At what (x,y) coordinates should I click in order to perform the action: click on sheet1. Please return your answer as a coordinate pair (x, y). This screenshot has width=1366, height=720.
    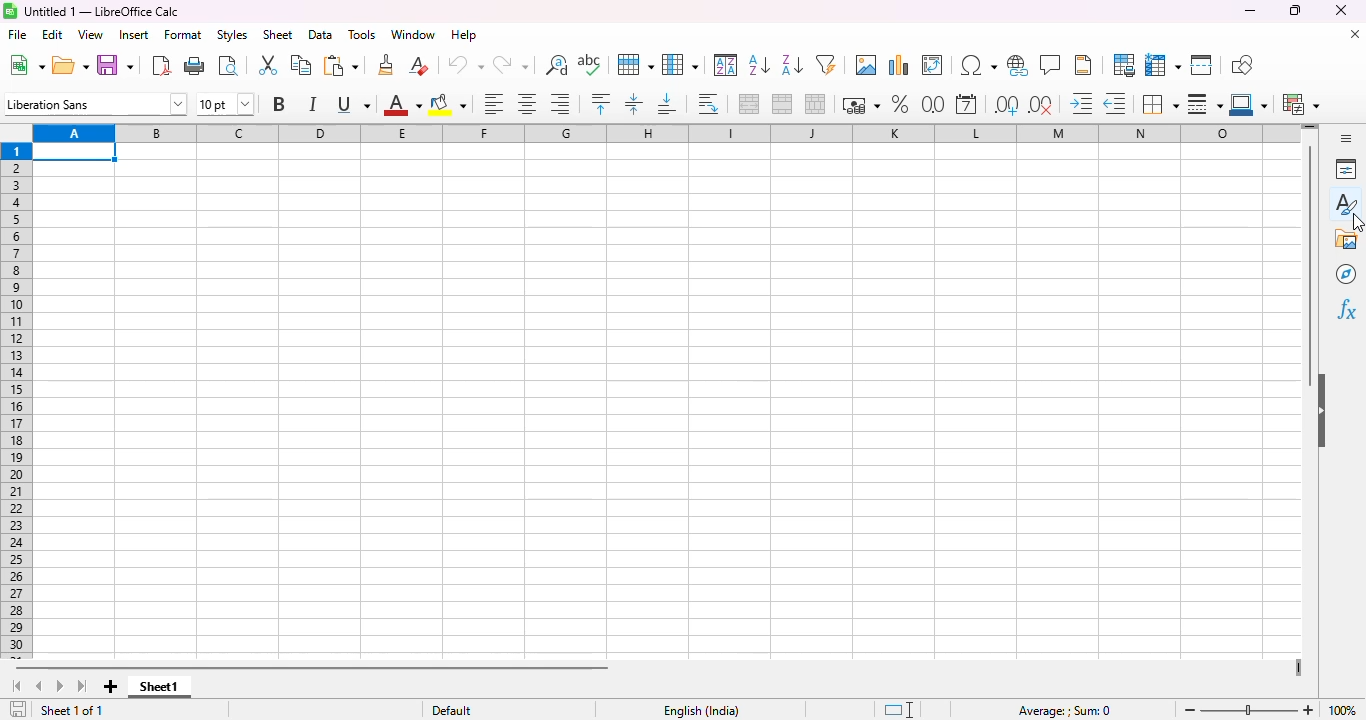
    Looking at the image, I should click on (159, 687).